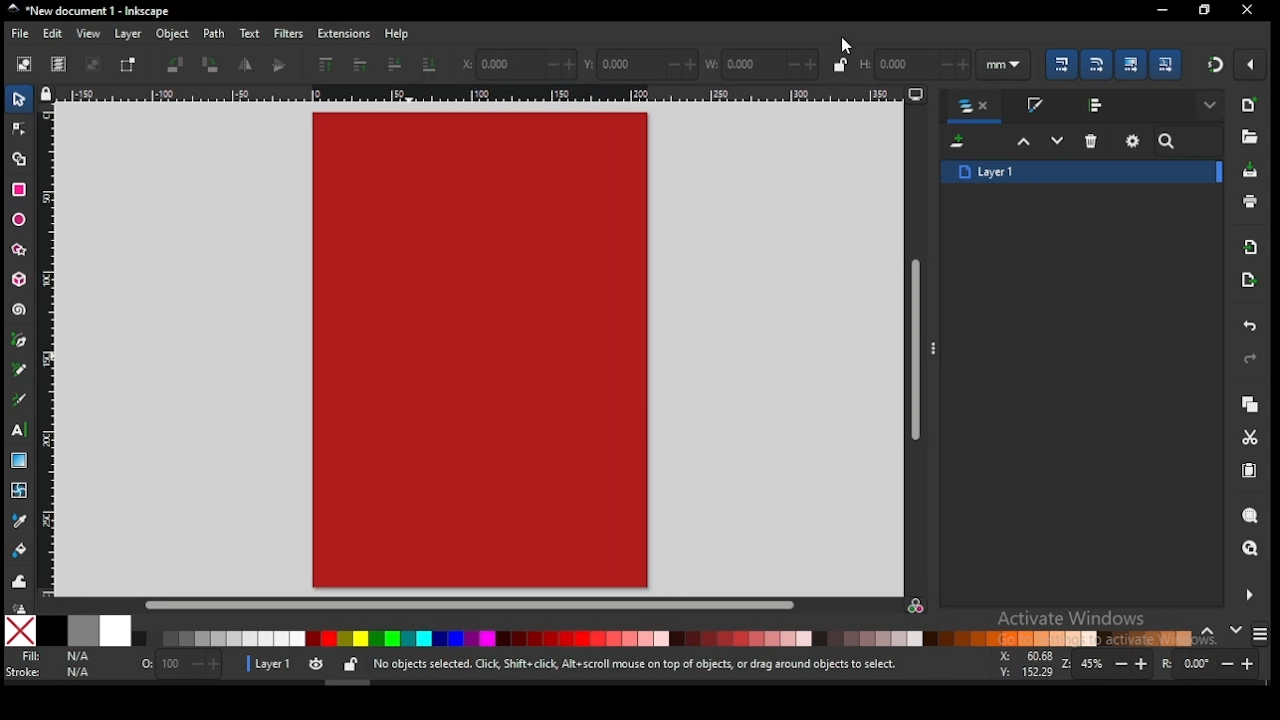 This screenshot has width=1280, height=720. I want to click on deselect, so click(90, 65).